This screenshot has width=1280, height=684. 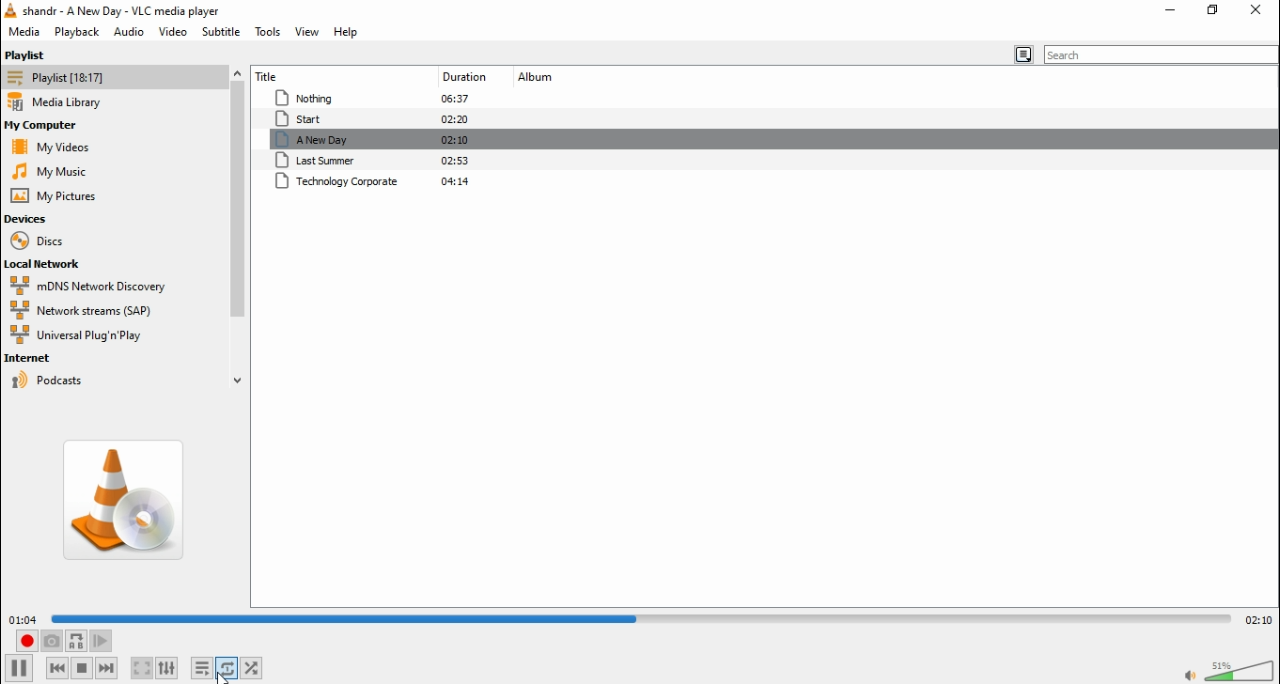 What do you see at coordinates (82, 668) in the screenshot?
I see `stop` at bounding box center [82, 668].